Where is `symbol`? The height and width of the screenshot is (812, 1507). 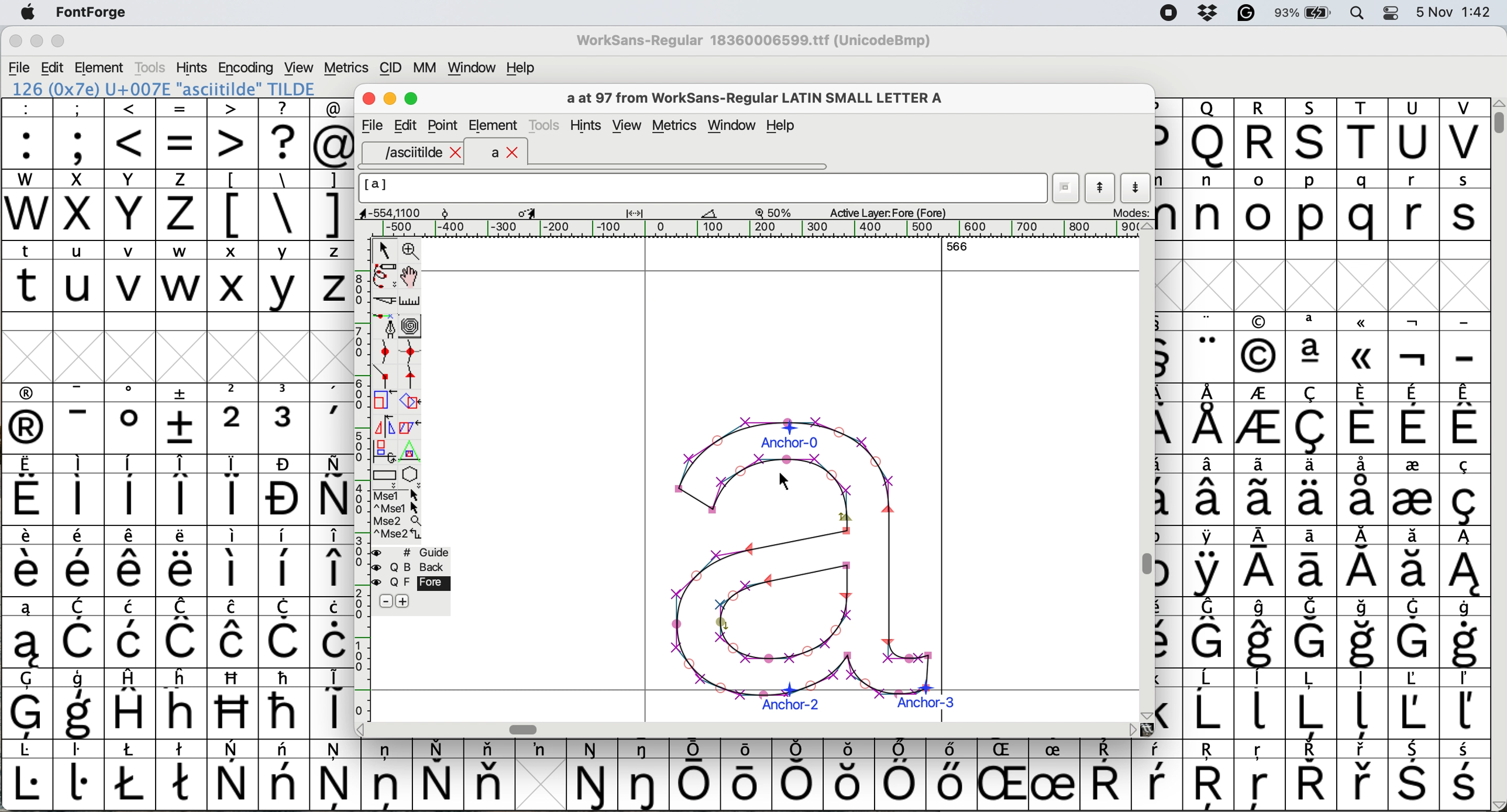
symbol is located at coordinates (1363, 418).